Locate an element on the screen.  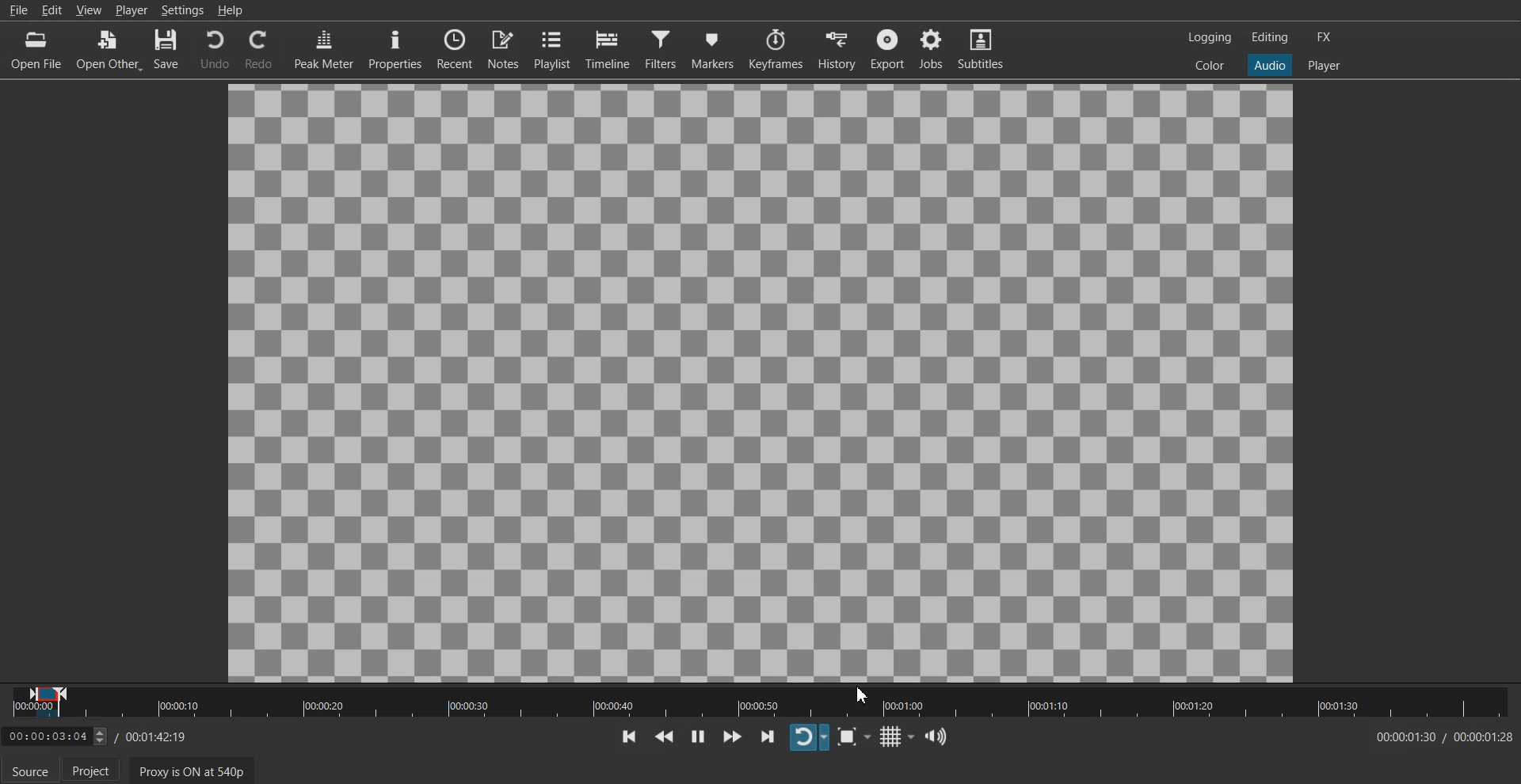
Redo is located at coordinates (259, 49).